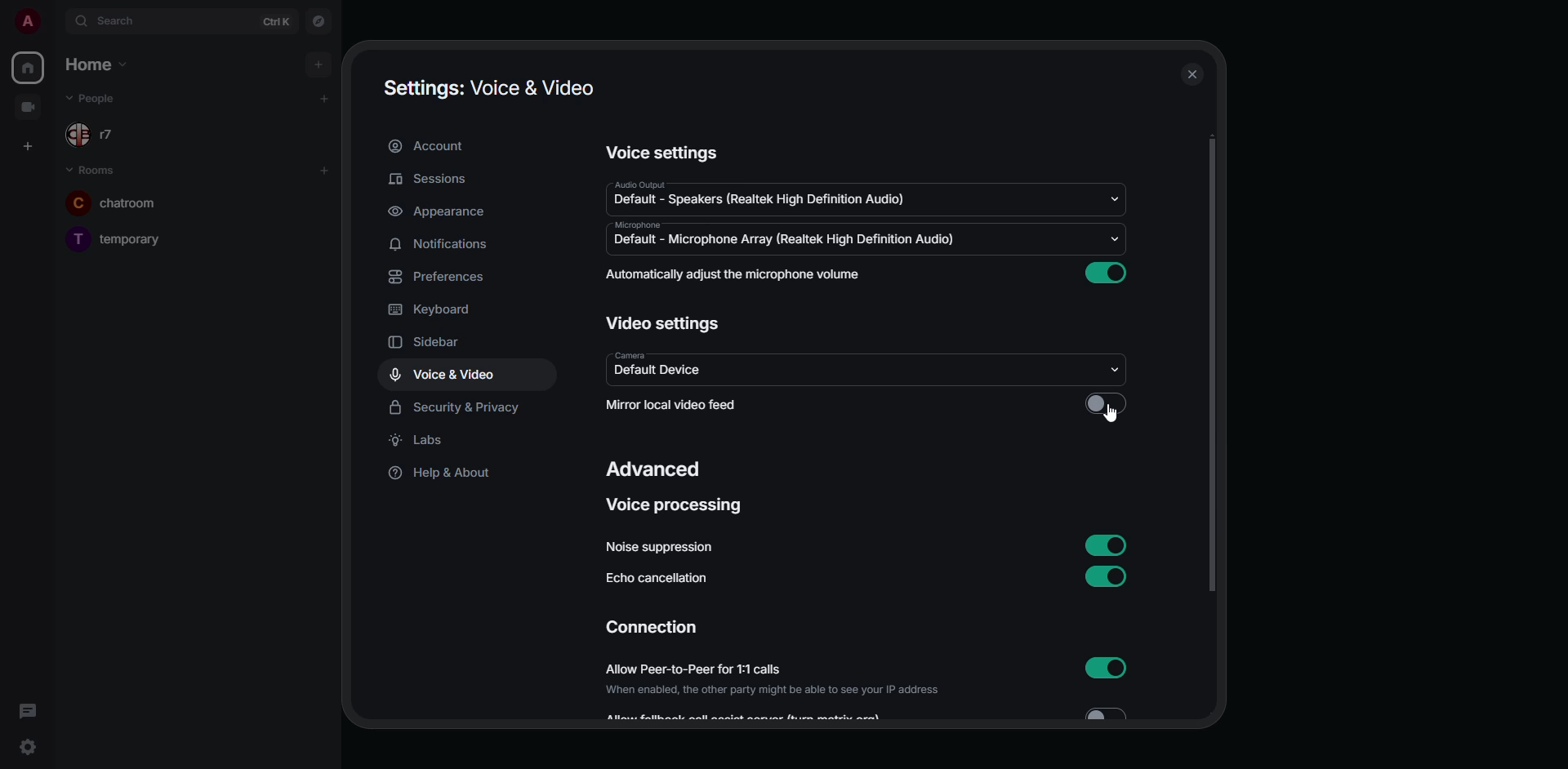 The width and height of the screenshot is (1568, 769). Describe the element at coordinates (29, 66) in the screenshot. I see `home` at that location.